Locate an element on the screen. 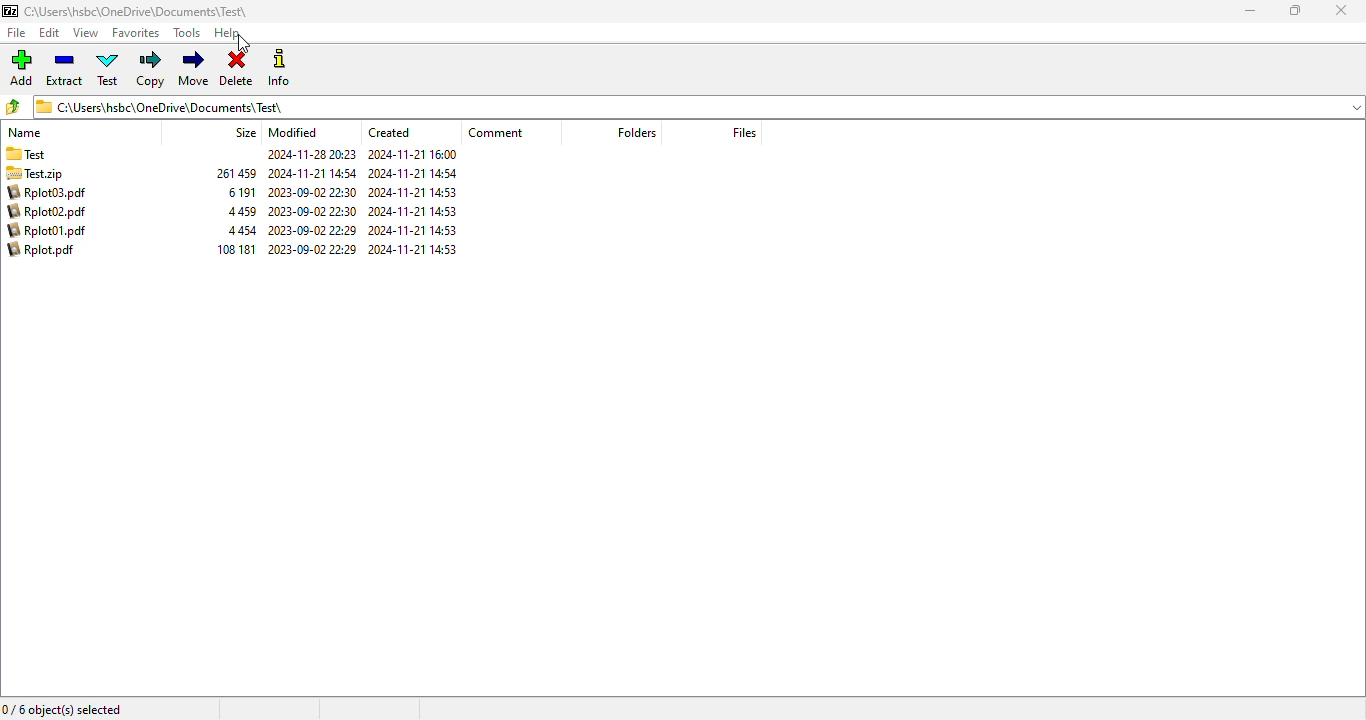  Test  is located at coordinates (56, 155).